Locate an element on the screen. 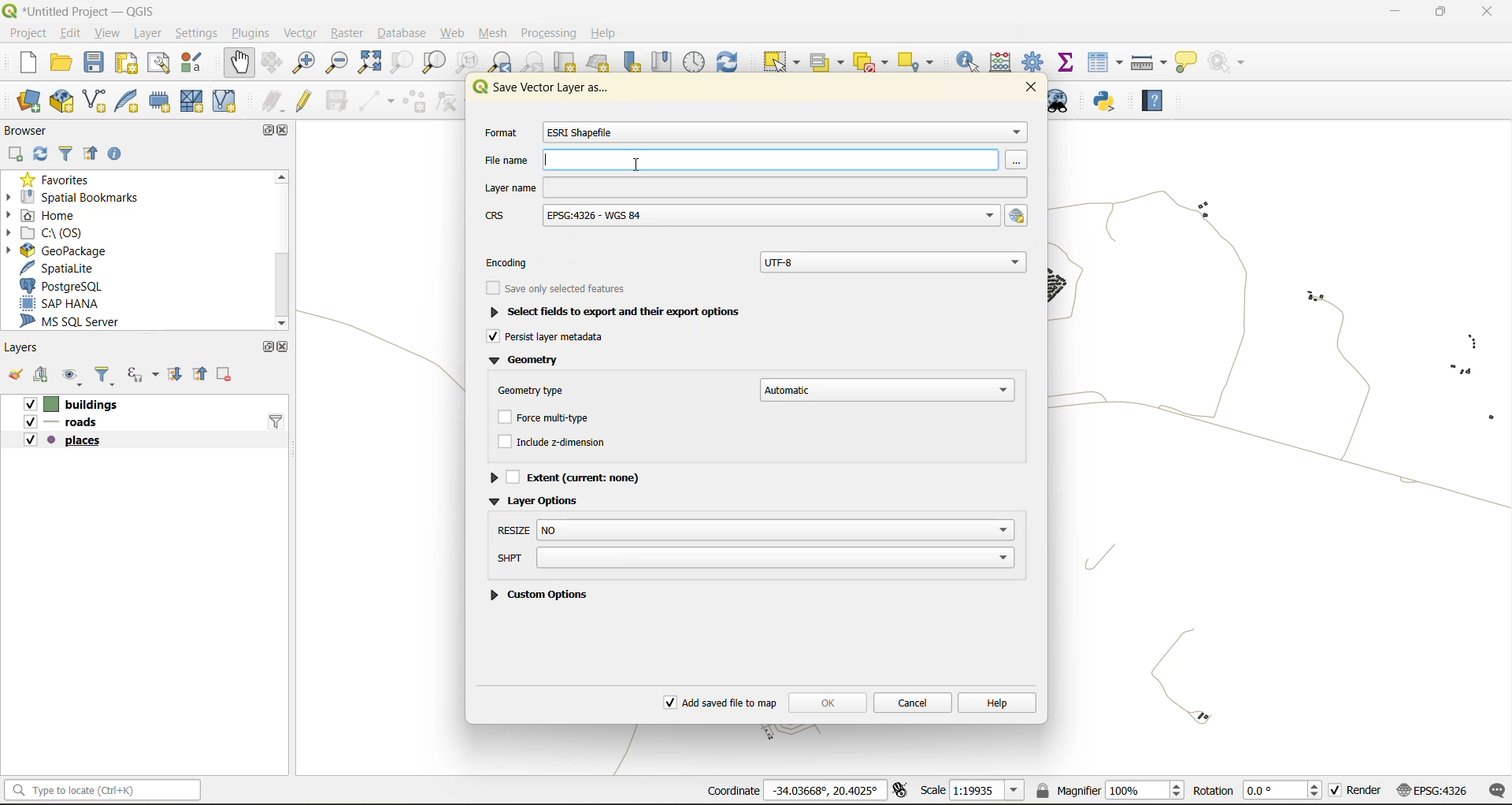 The height and width of the screenshot is (805, 1512). zoom in is located at coordinates (307, 63).